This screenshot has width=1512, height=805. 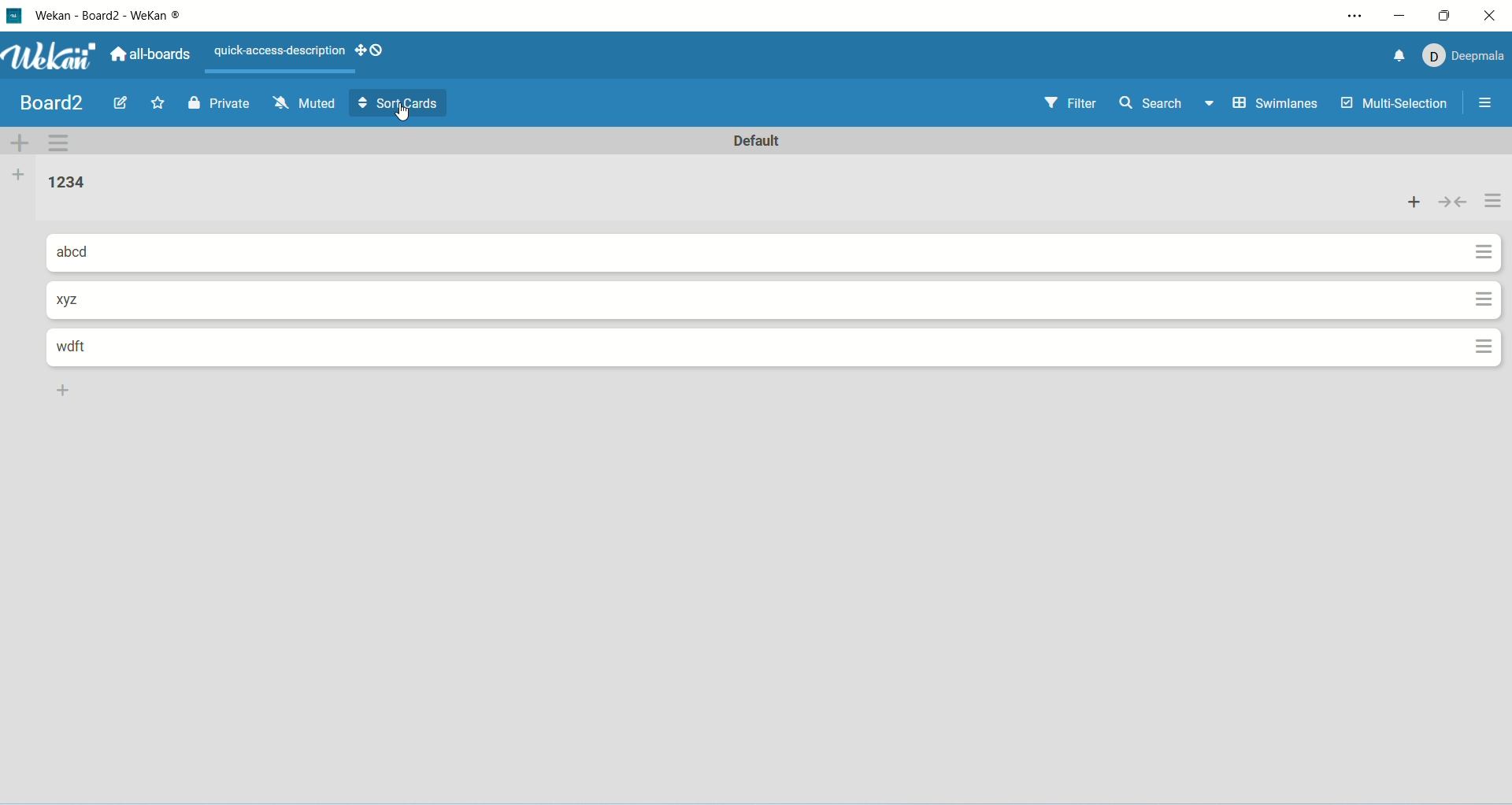 What do you see at coordinates (1355, 15) in the screenshot?
I see `settings and more` at bounding box center [1355, 15].